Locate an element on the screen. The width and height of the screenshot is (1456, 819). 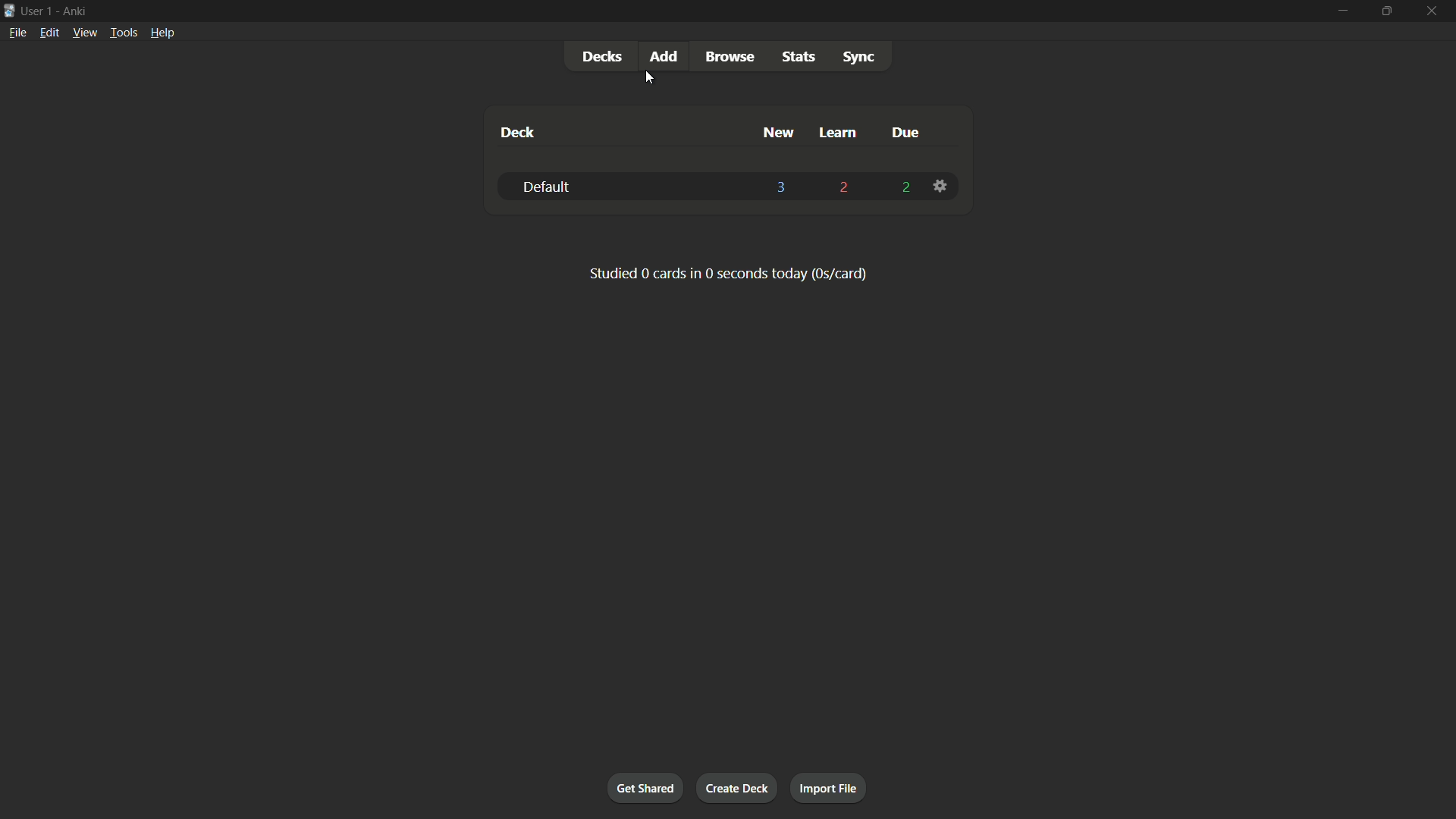
user 1 is located at coordinates (37, 8).